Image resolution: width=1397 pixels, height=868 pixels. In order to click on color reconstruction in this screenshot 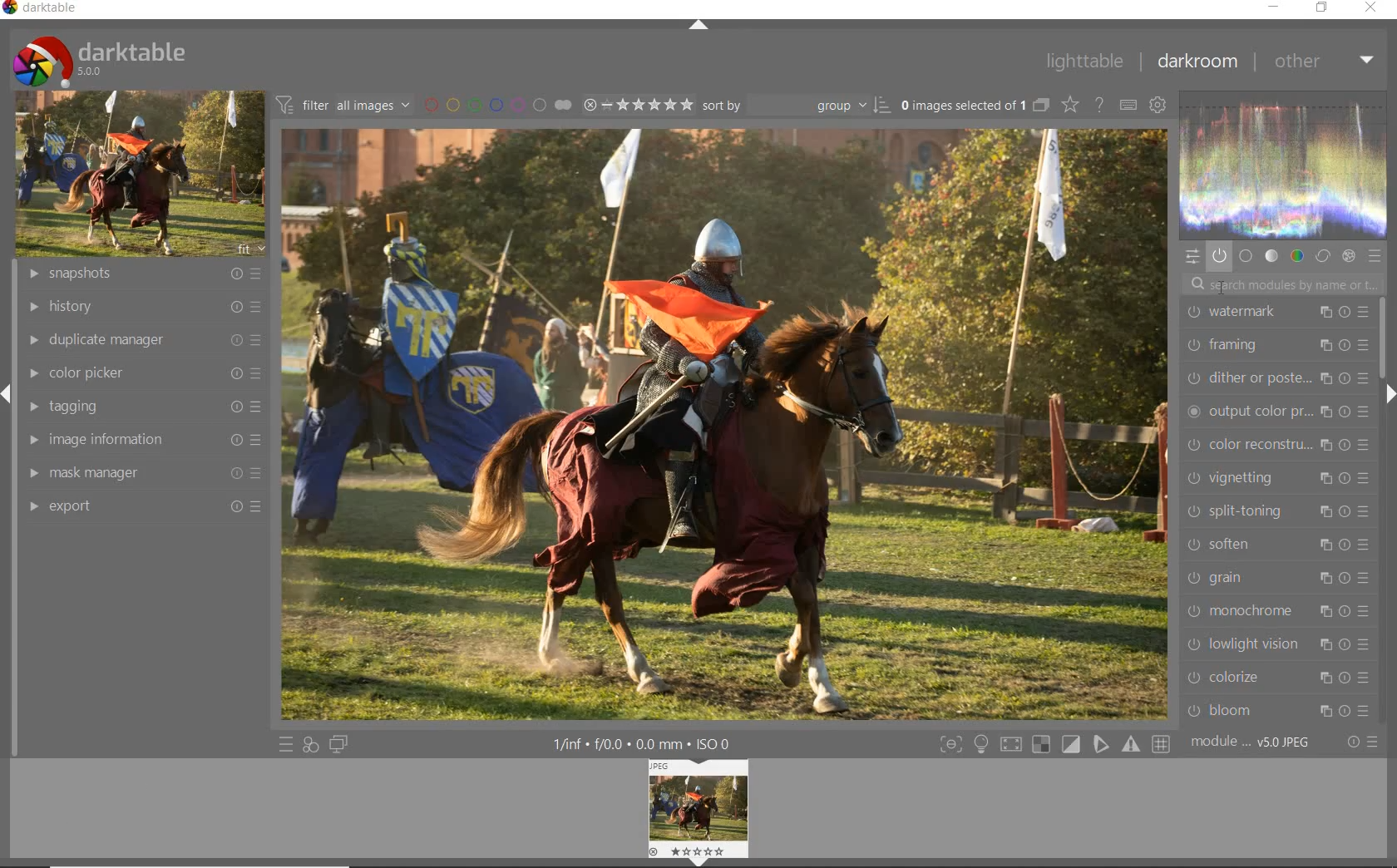, I will do `click(1281, 445)`.